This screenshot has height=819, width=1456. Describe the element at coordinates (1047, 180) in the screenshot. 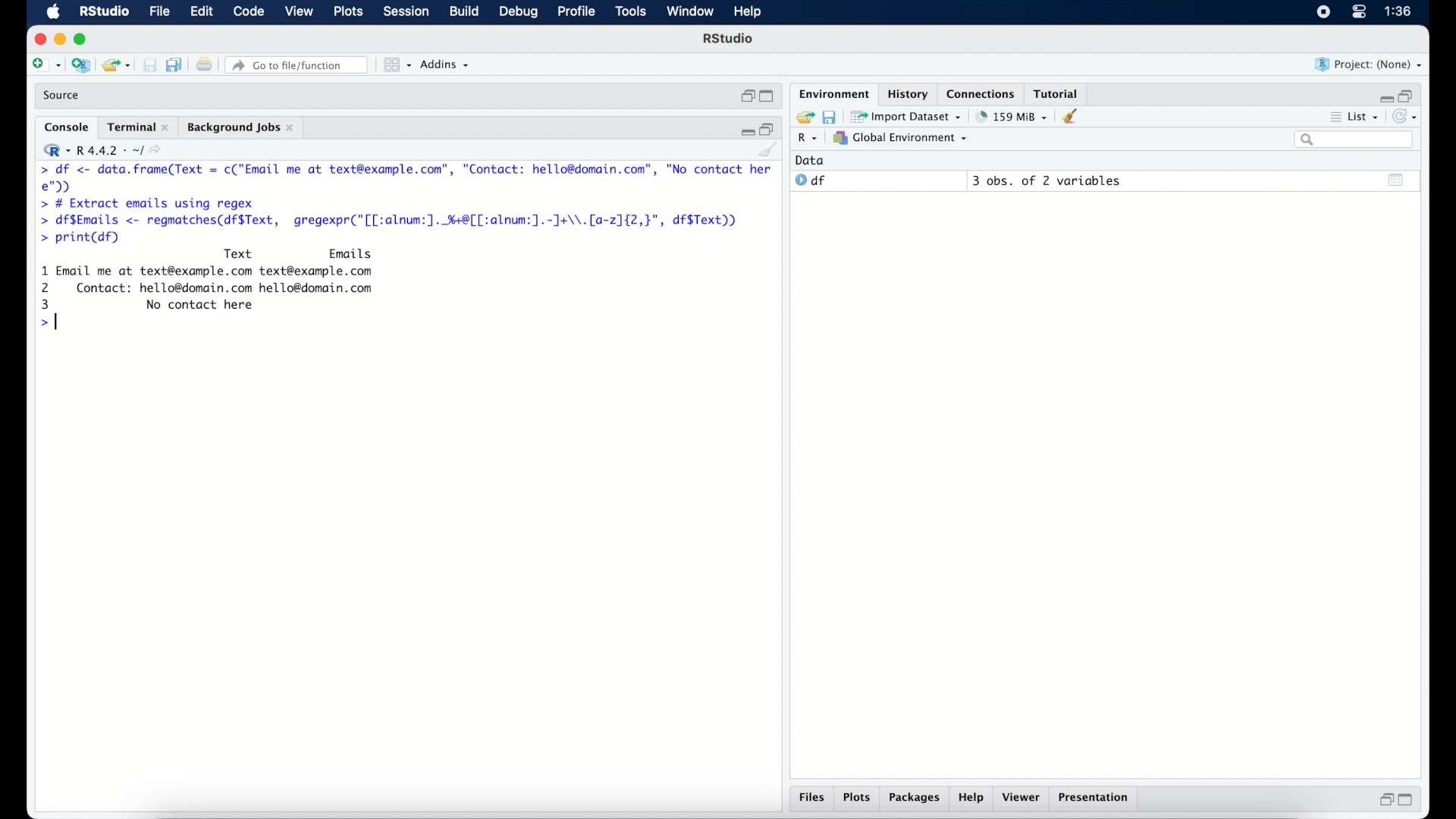

I see `3 obs, of 2 variables` at that location.